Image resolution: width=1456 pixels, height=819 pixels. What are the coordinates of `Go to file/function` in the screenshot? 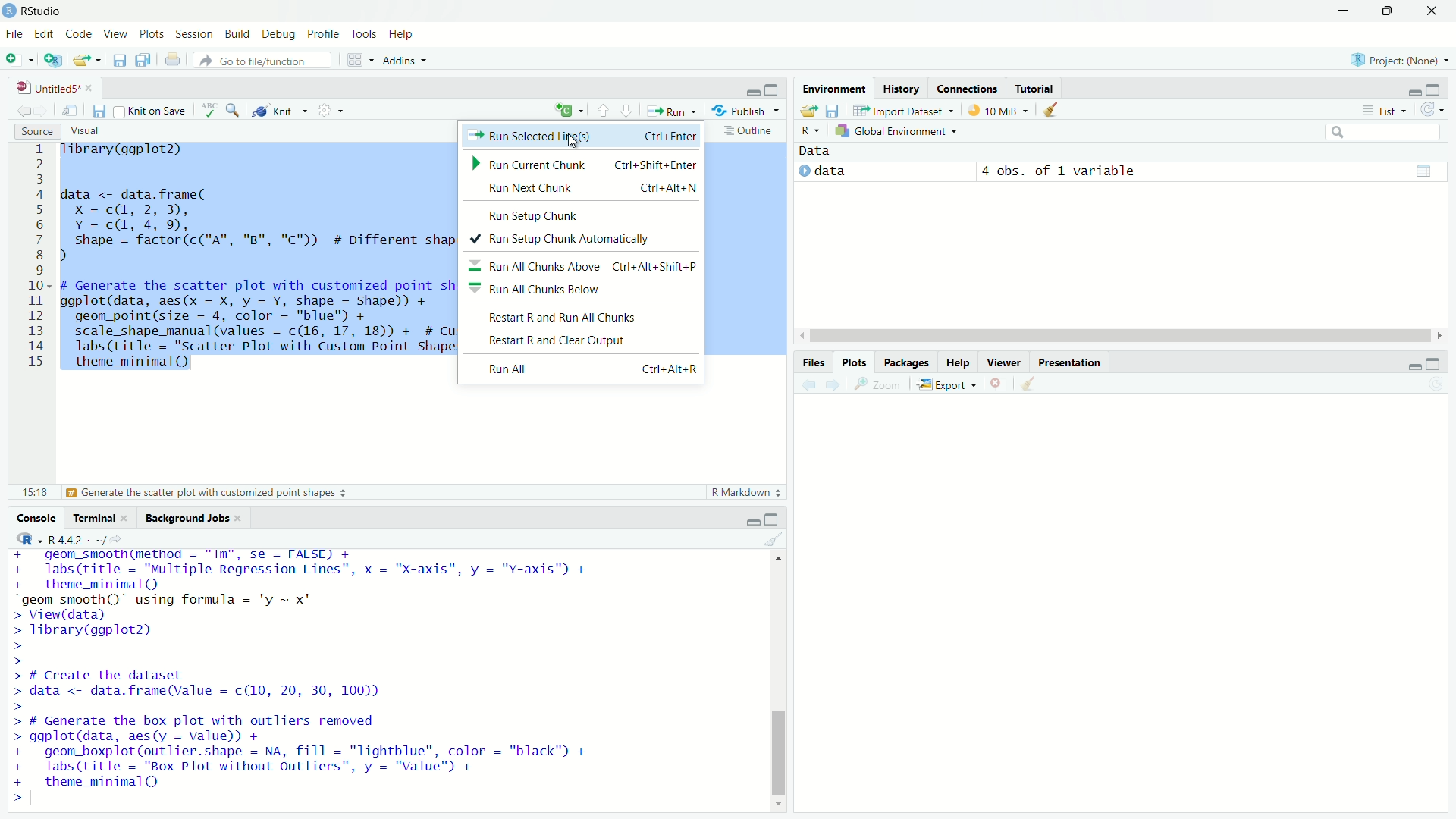 It's located at (262, 61).